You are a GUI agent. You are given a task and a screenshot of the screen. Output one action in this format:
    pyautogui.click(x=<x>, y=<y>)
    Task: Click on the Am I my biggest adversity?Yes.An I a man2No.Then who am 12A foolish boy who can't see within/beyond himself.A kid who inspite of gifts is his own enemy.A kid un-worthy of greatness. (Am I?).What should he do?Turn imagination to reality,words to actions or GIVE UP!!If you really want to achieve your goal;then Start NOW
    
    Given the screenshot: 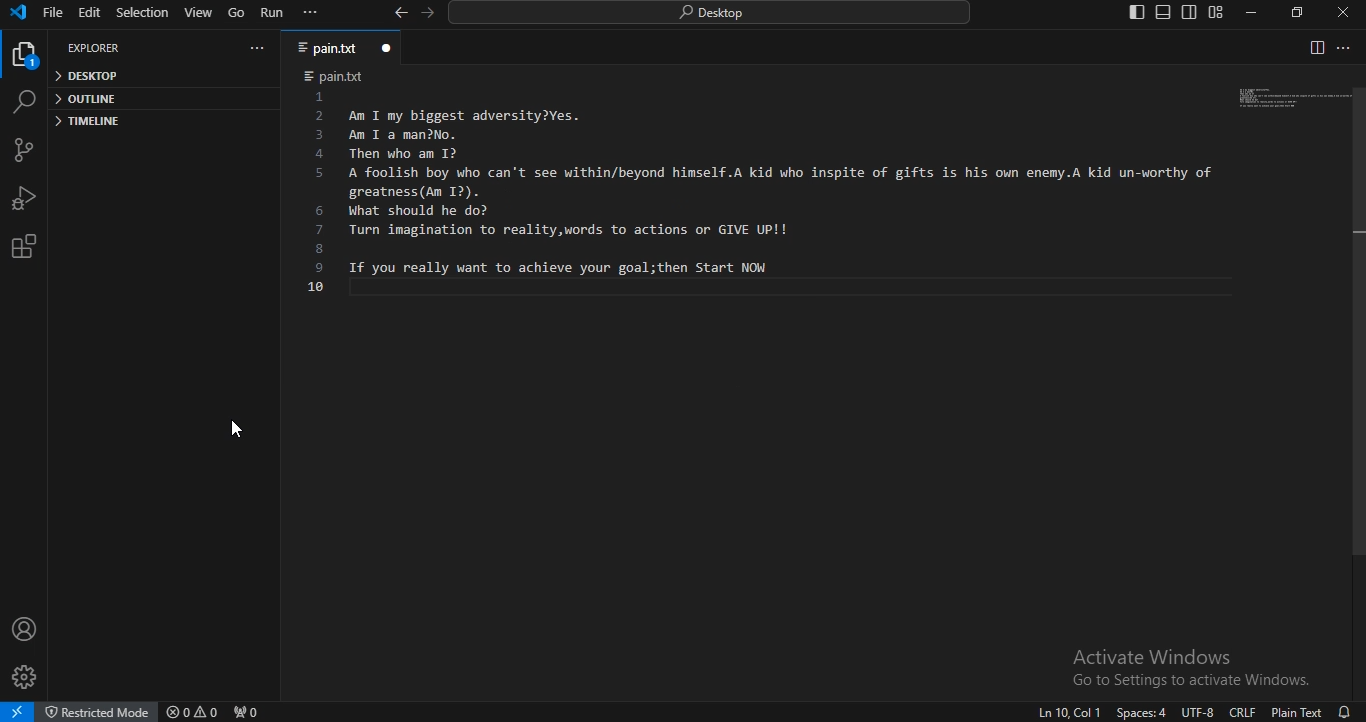 What is the action you would take?
    pyautogui.click(x=787, y=193)
    